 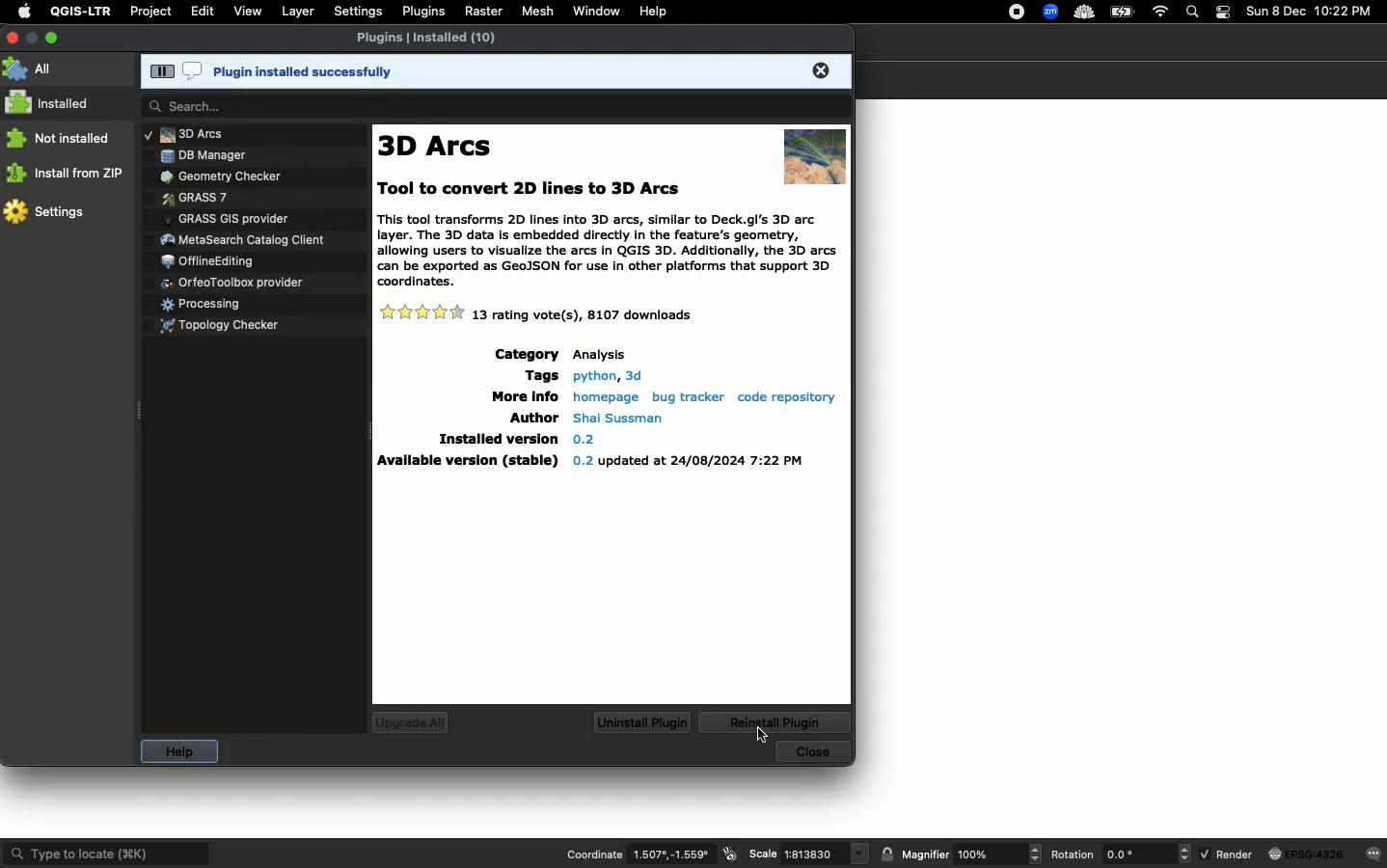 What do you see at coordinates (1123, 13) in the screenshot?
I see `Charge` at bounding box center [1123, 13].